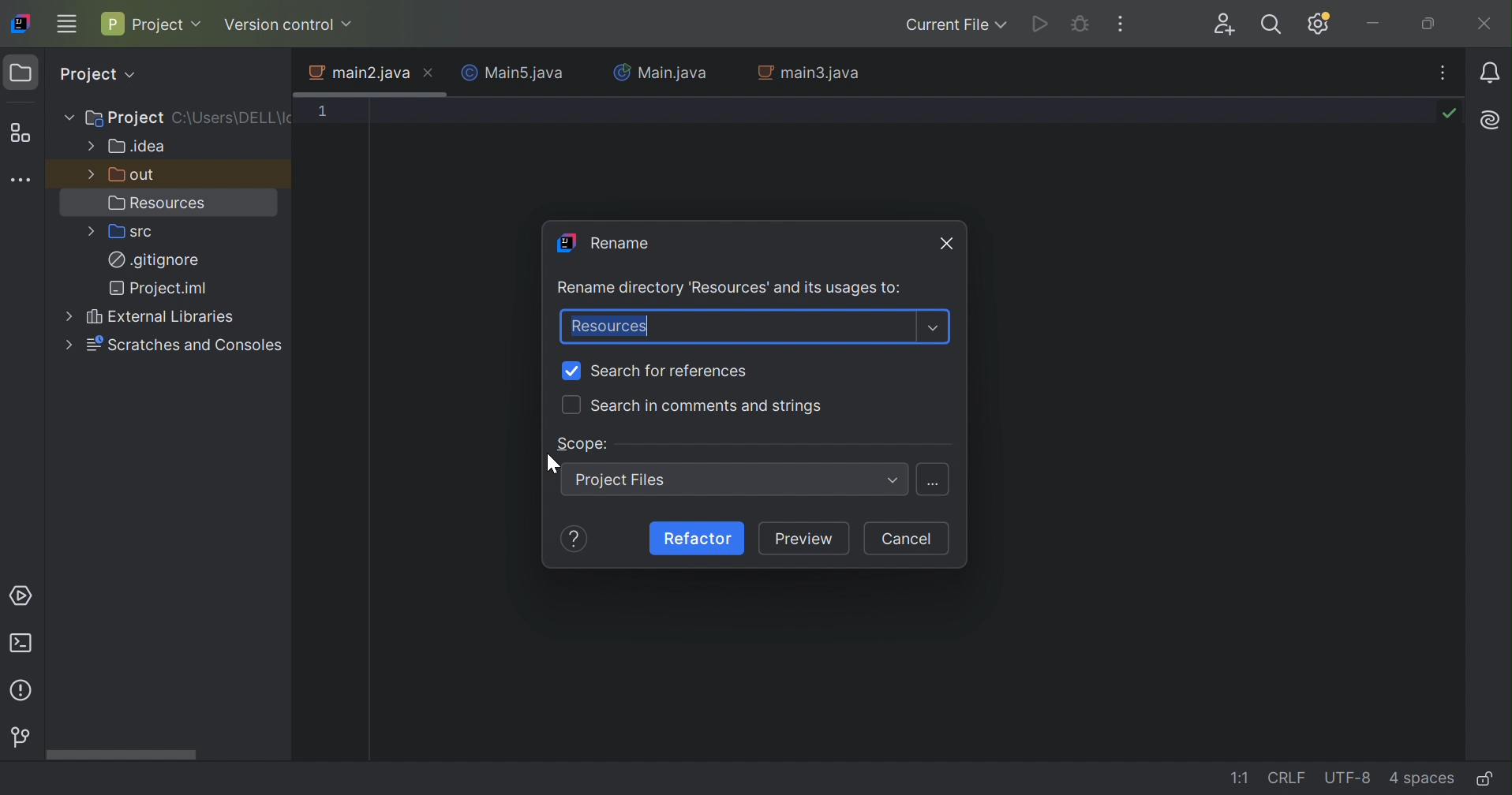 Image resolution: width=1512 pixels, height=795 pixels. Describe the element at coordinates (947, 243) in the screenshot. I see `Close` at that location.